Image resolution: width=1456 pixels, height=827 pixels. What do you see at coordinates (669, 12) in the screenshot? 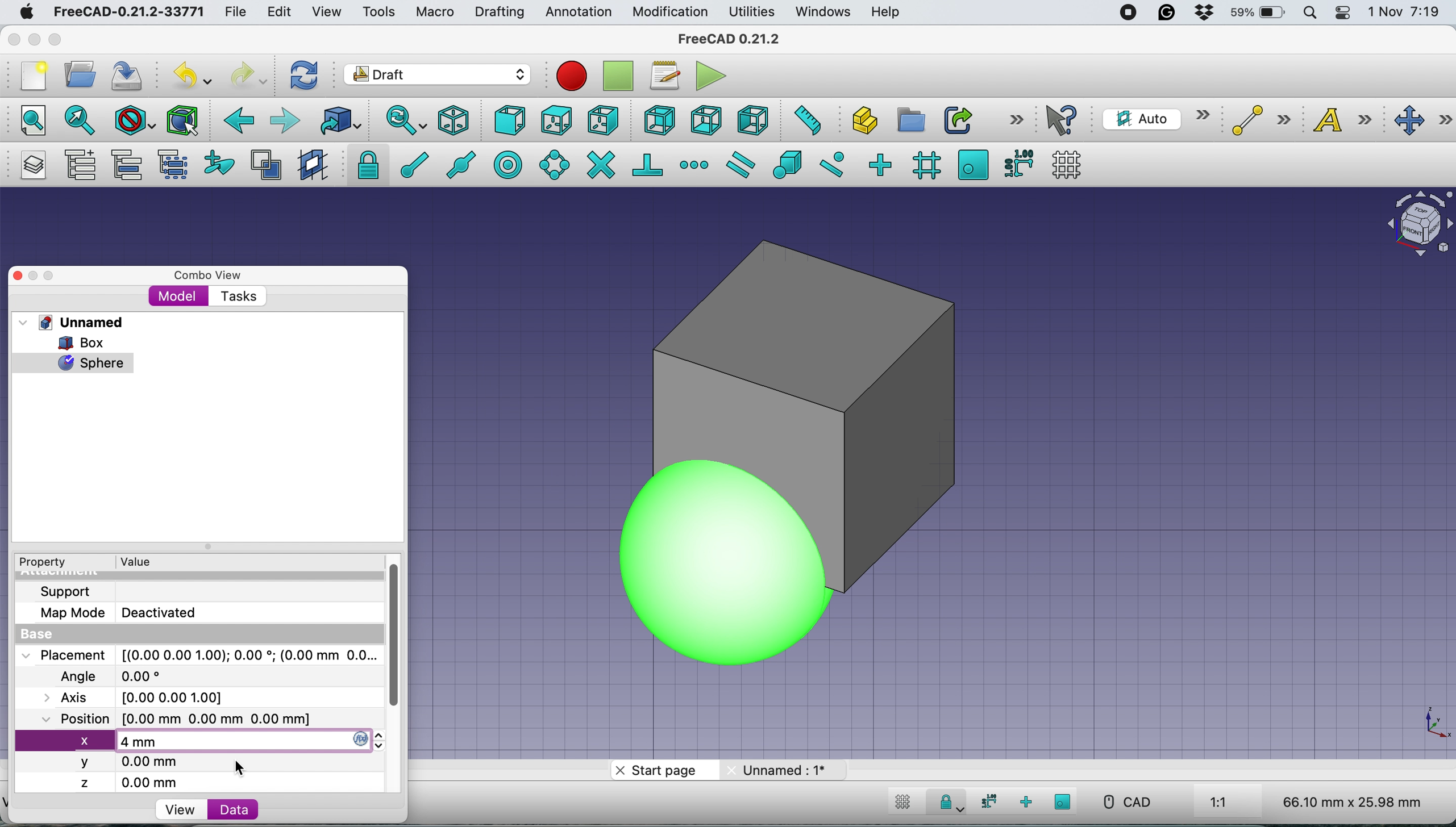
I see `modification` at bounding box center [669, 12].